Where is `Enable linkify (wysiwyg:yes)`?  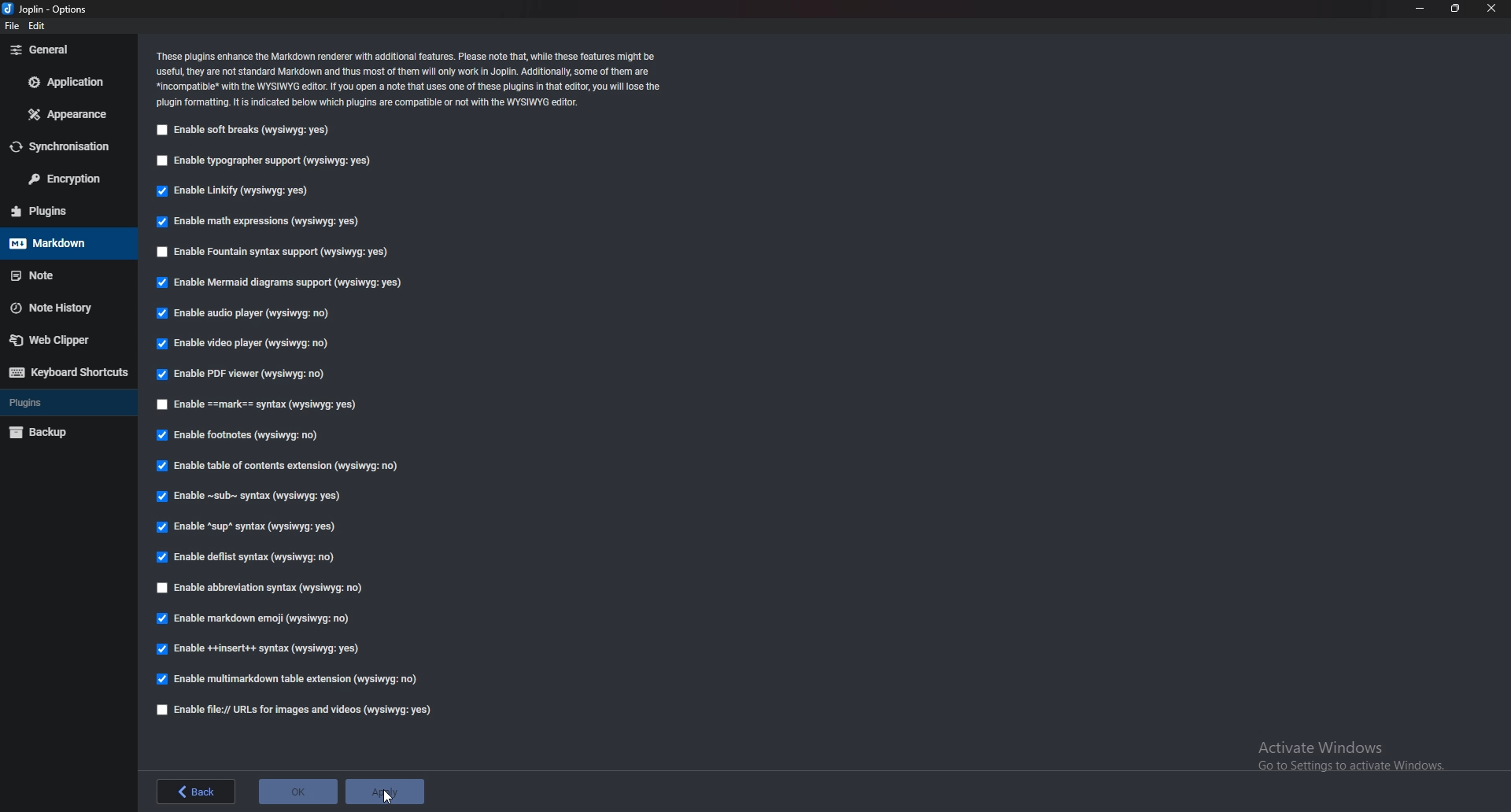 Enable linkify (wysiwyg:yes) is located at coordinates (231, 193).